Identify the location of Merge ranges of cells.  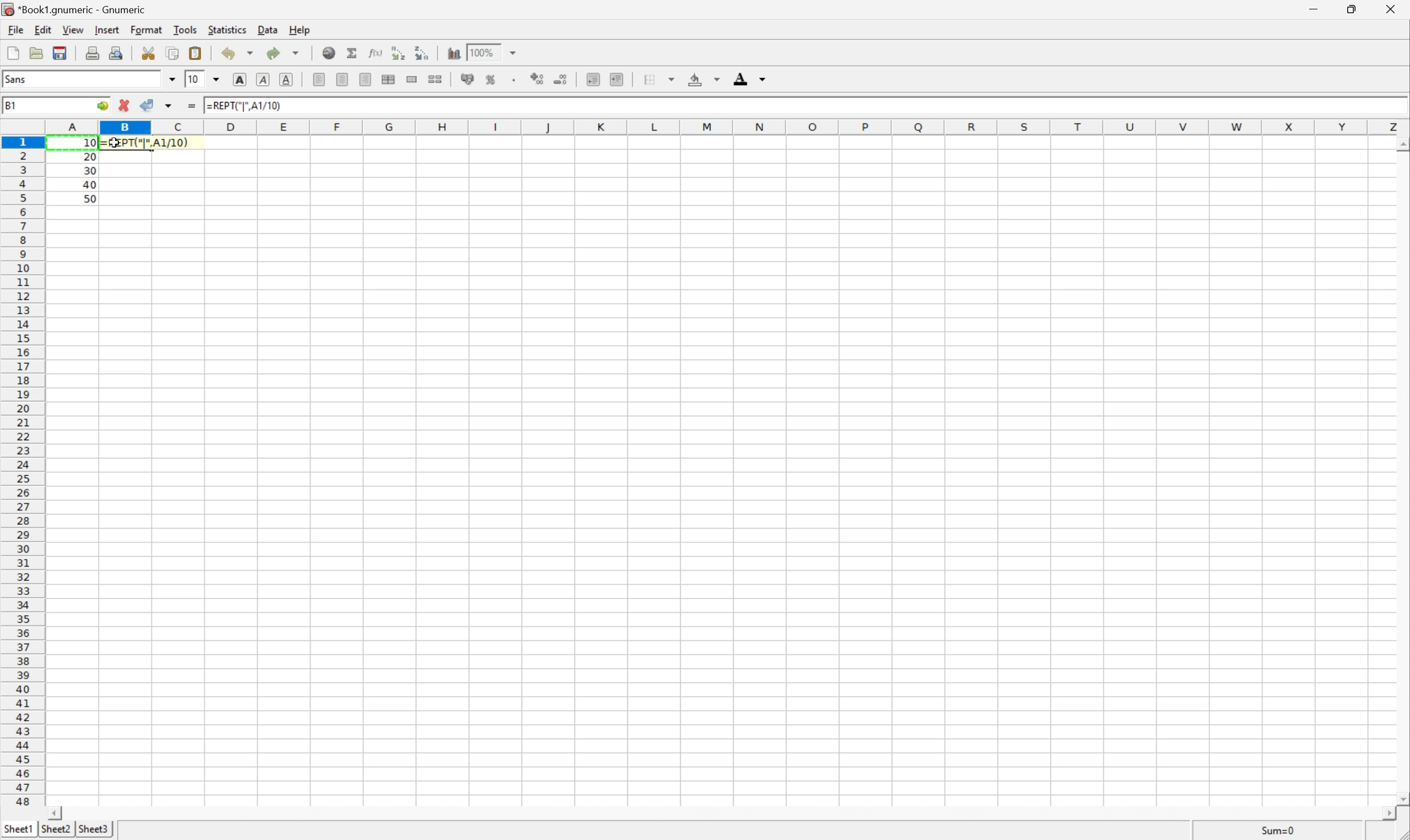
(411, 79).